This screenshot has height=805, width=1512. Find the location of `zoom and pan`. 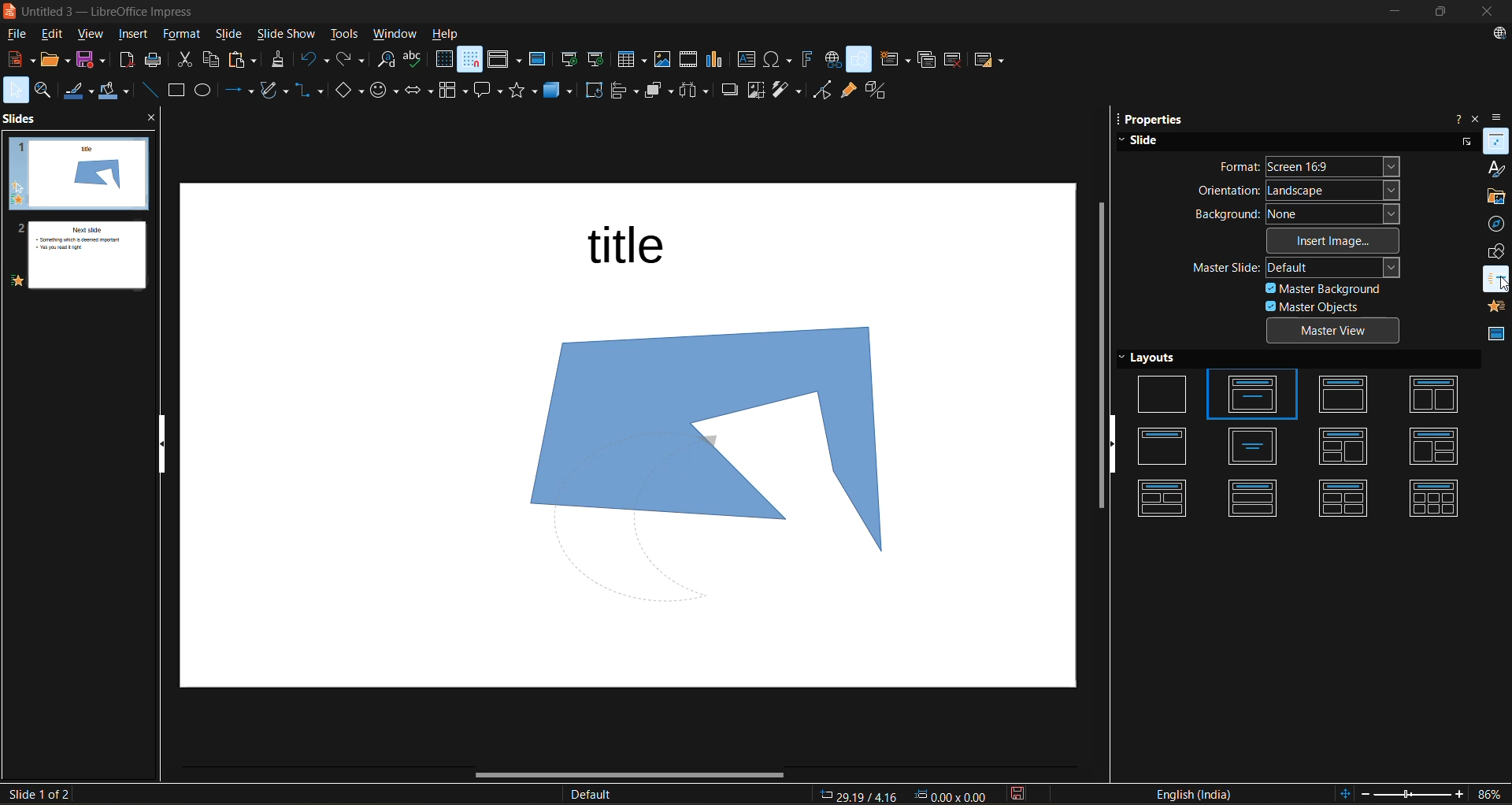

zoom and pan is located at coordinates (46, 91).